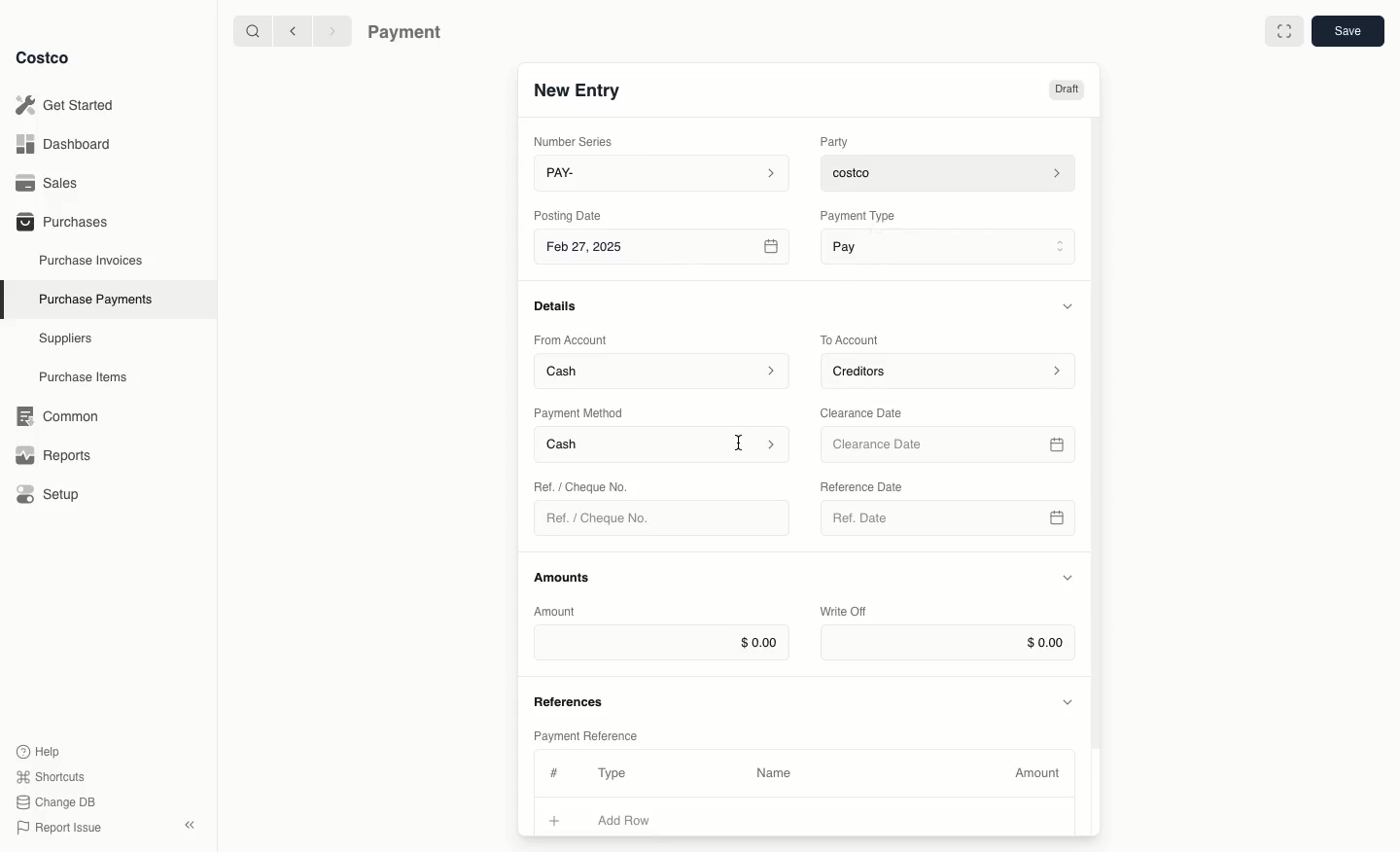  I want to click on $0.00, so click(661, 642).